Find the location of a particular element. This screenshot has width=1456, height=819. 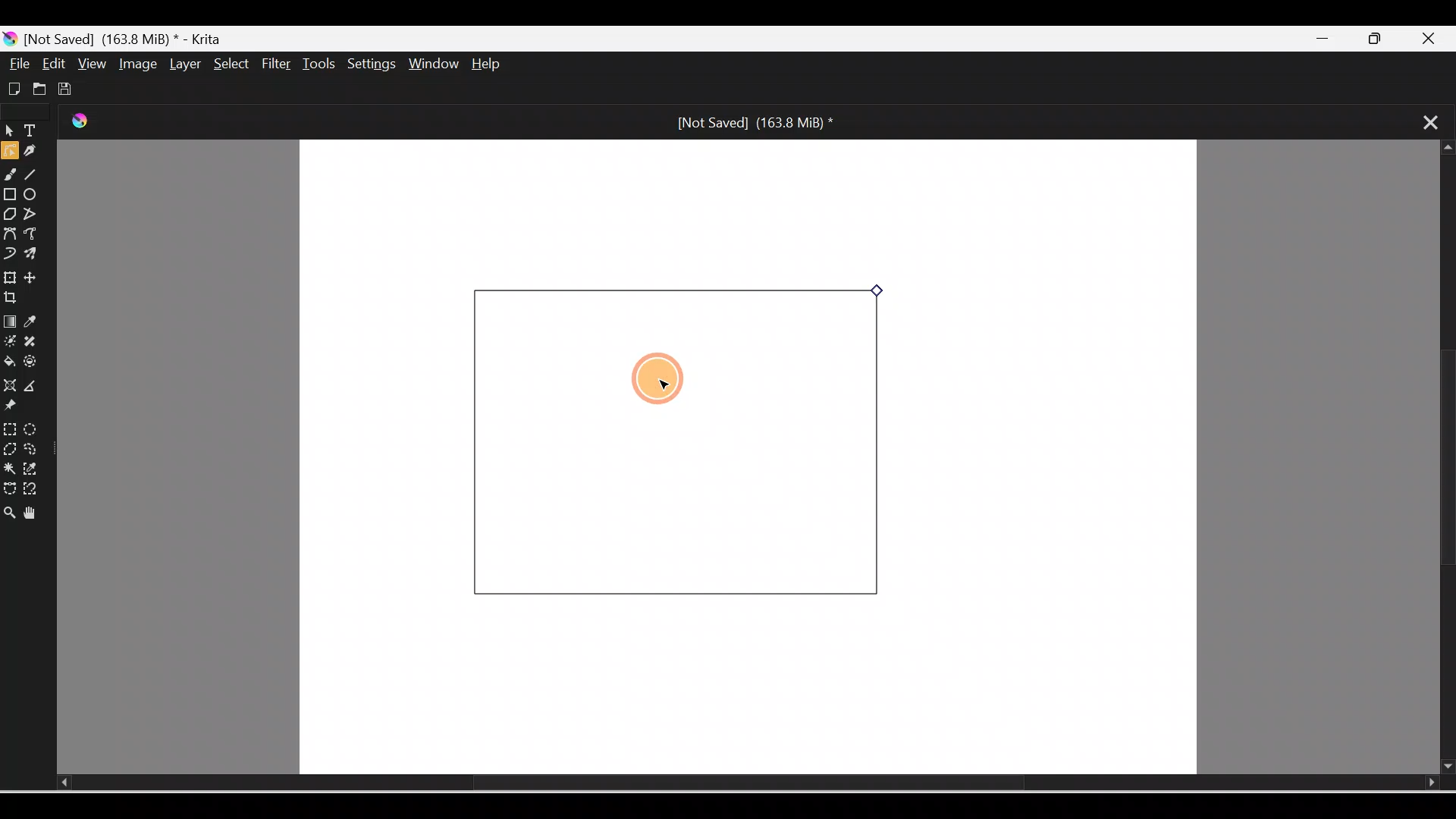

Sample a color from image/current layer is located at coordinates (36, 322).